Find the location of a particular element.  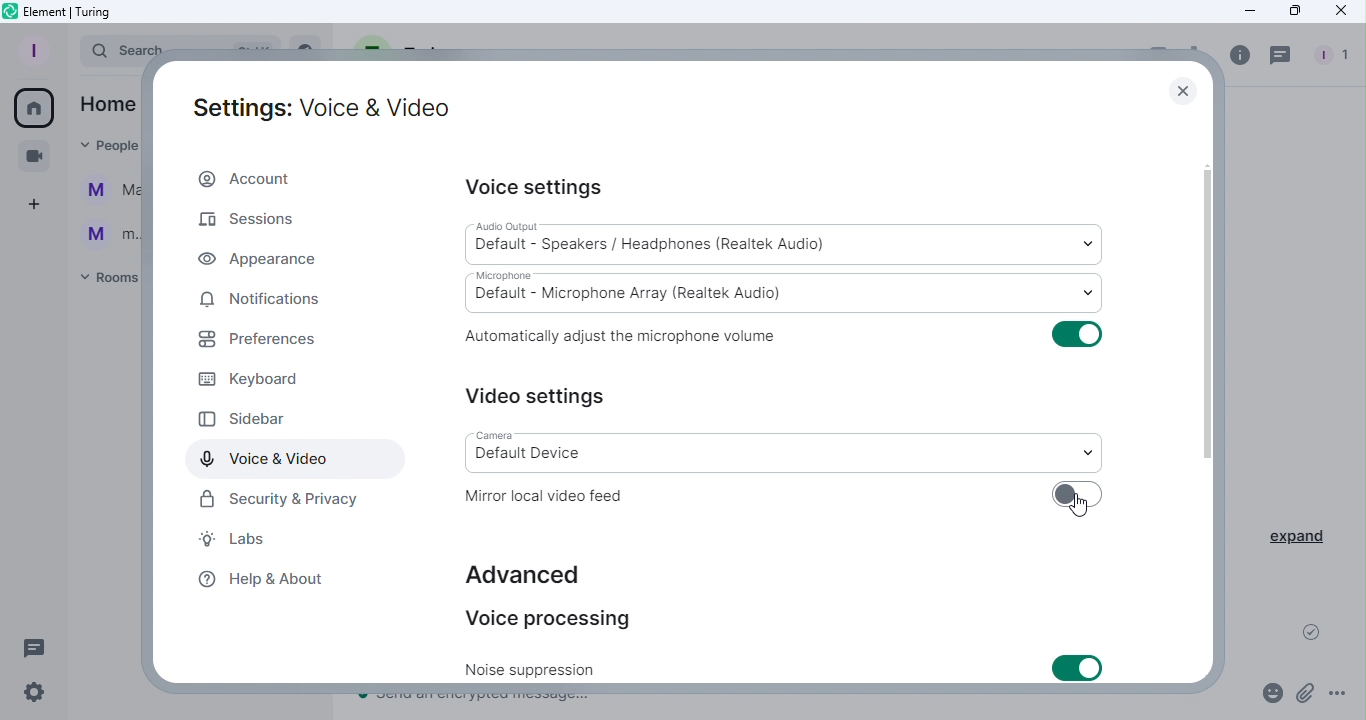

Account is located at coordinates (253, 176).